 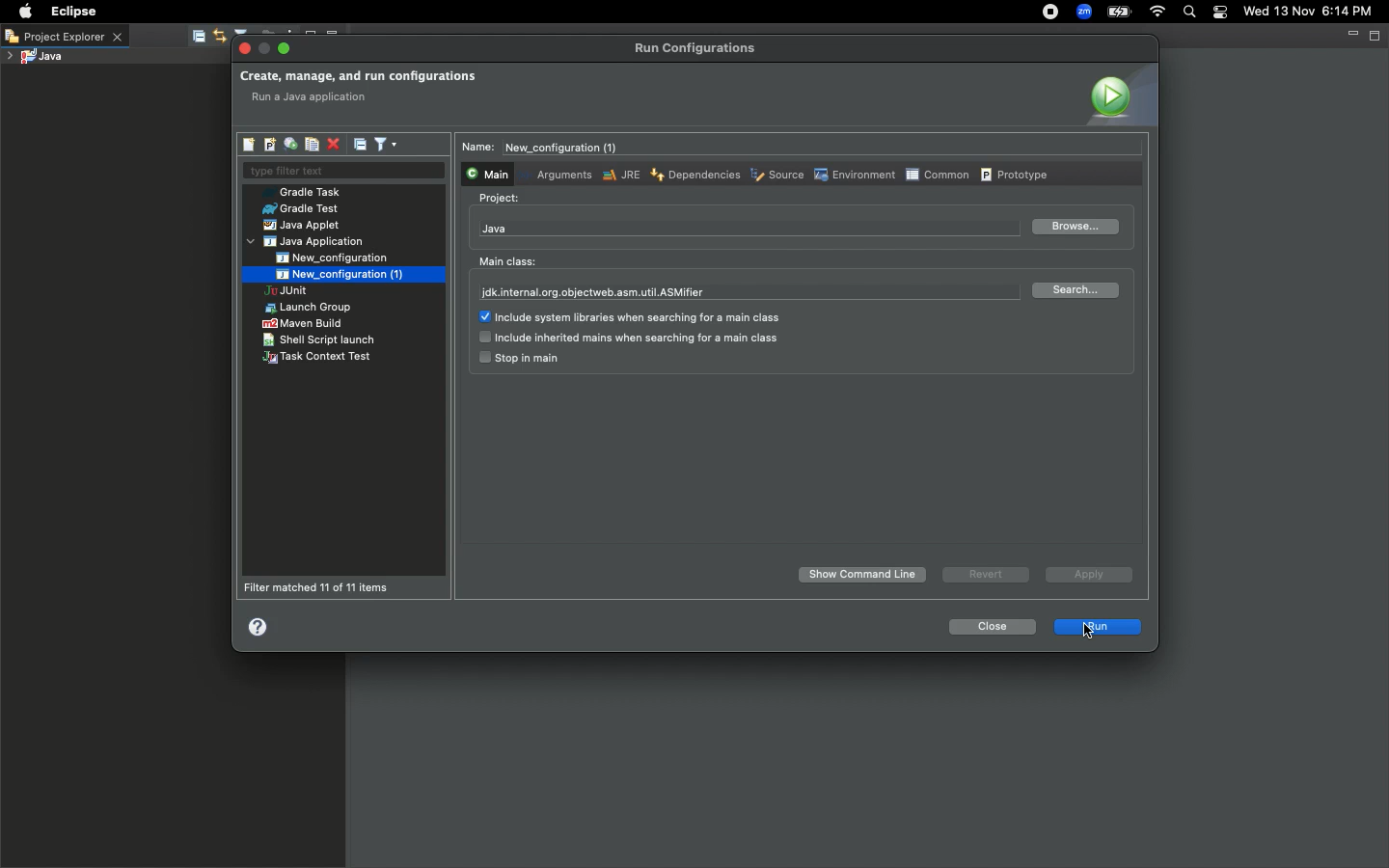 What do you see at coordinates (628, 339) in the screenshot?
I see `include inherited mains when searching for a main class` at bounding box center [628, 339].